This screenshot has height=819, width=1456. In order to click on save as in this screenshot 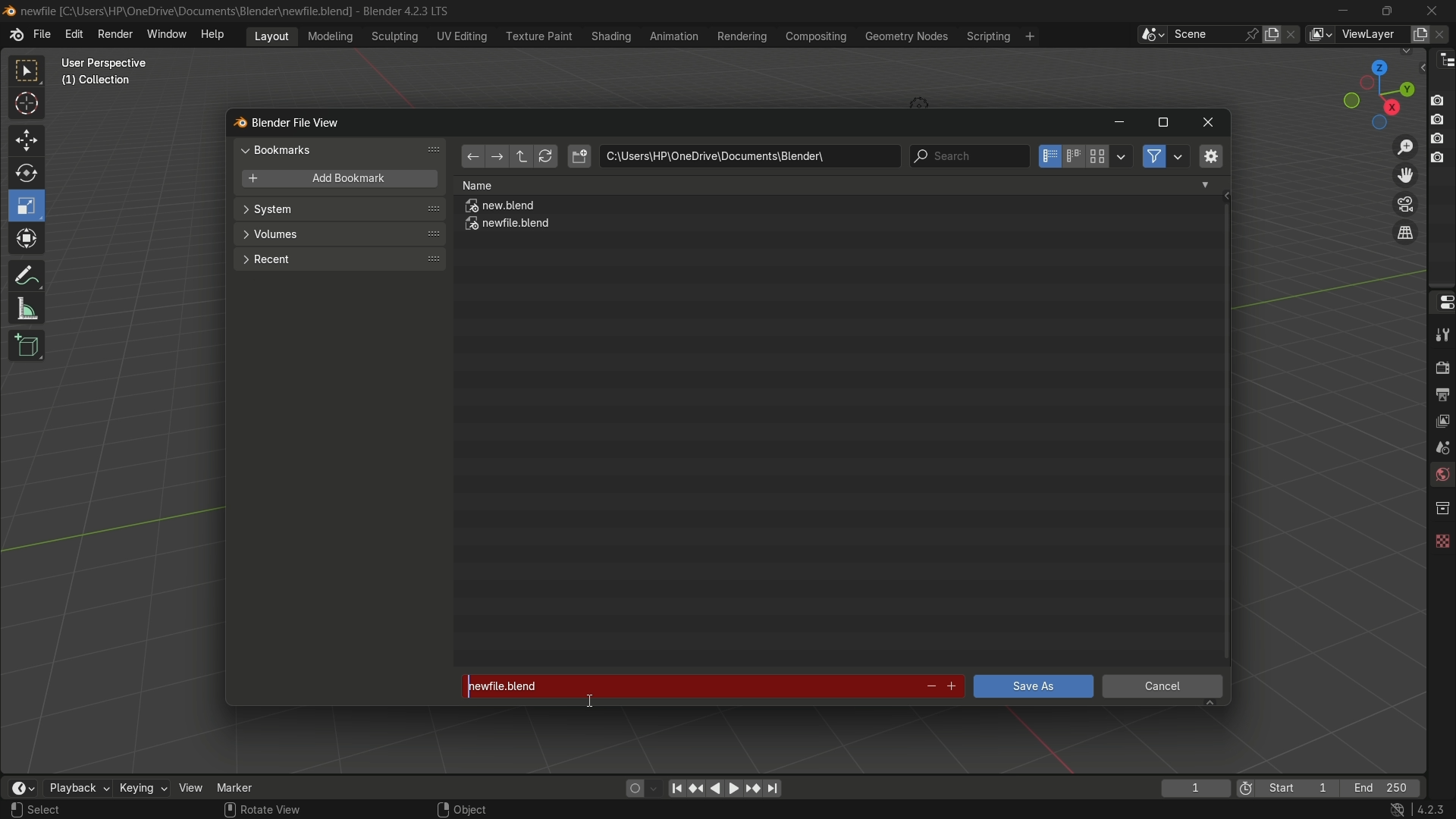, I will do `click(1032, 686)`.